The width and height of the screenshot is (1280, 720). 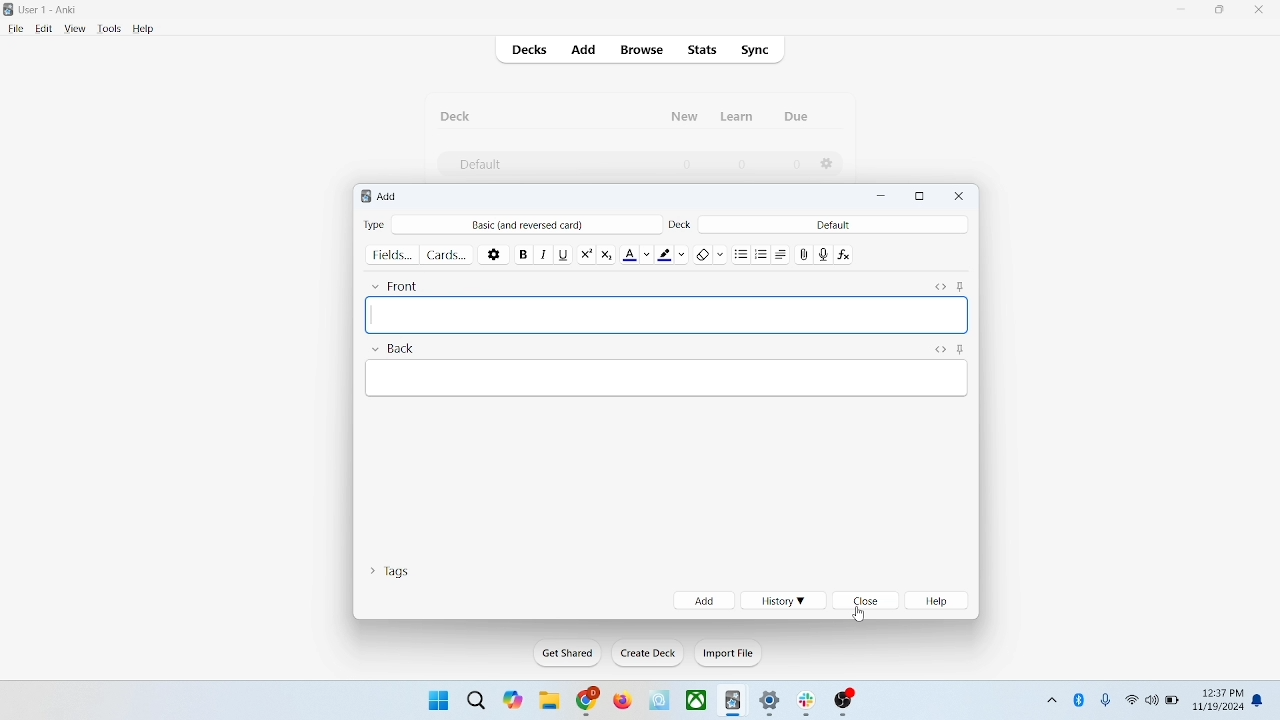 I want to click on bluetooth, so click(x=1080, y=699).